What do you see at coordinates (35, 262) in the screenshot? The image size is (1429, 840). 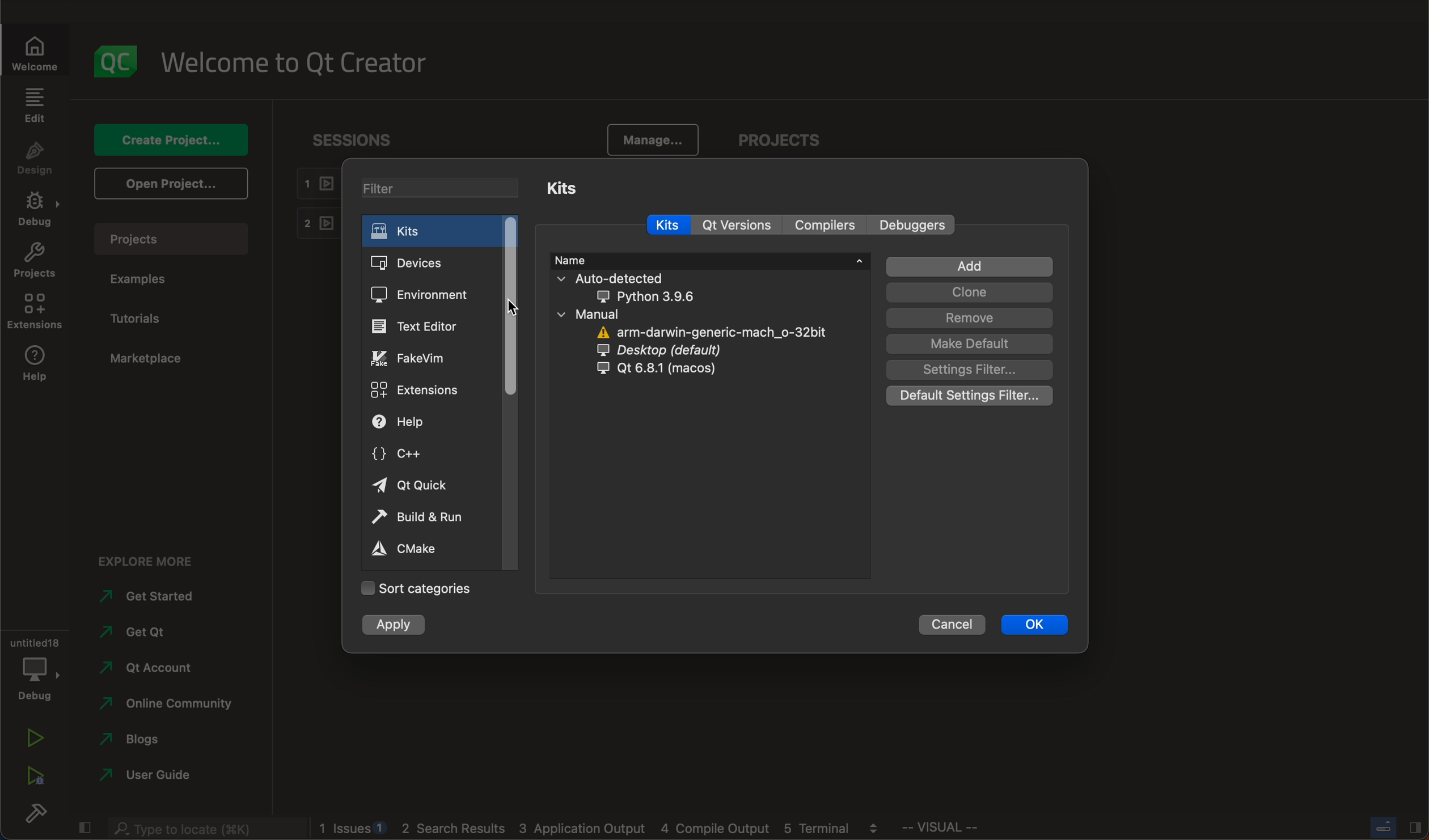 I see `projects` at bounding box center [35, 262].